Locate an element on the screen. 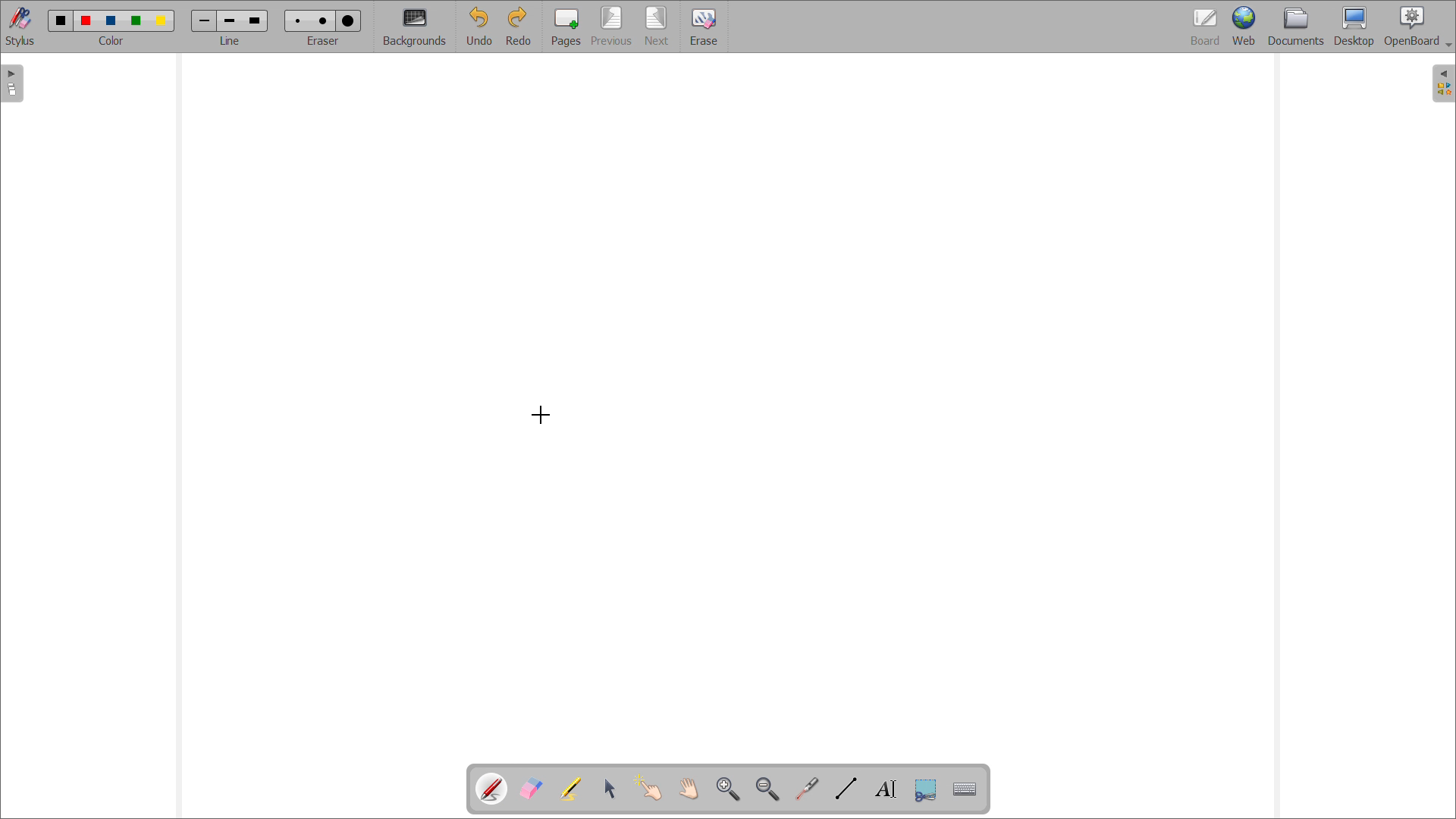  add pages is located at coordinates (566, 27).